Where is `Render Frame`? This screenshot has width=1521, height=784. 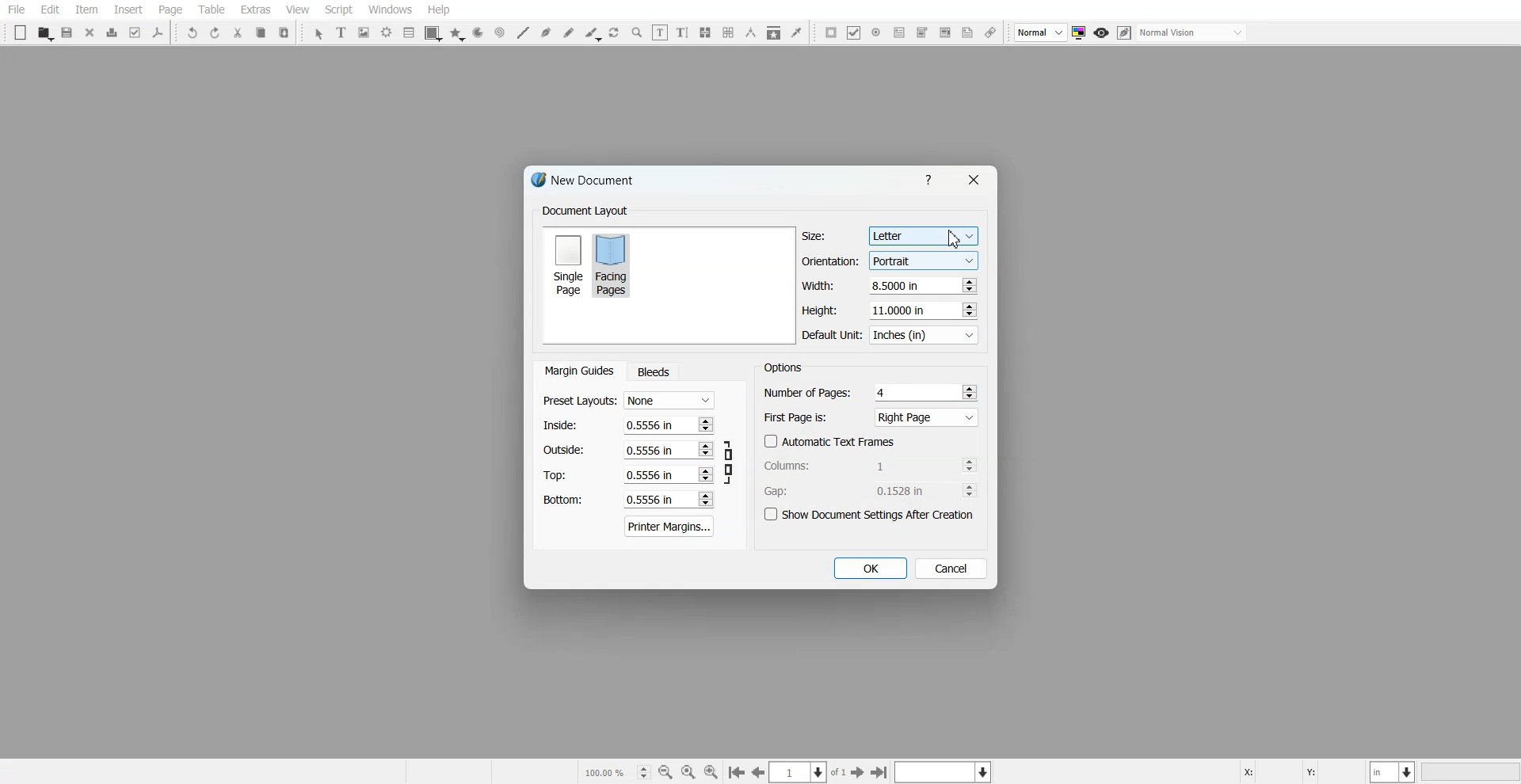 Render Frame is located at coordinates (387, 32).